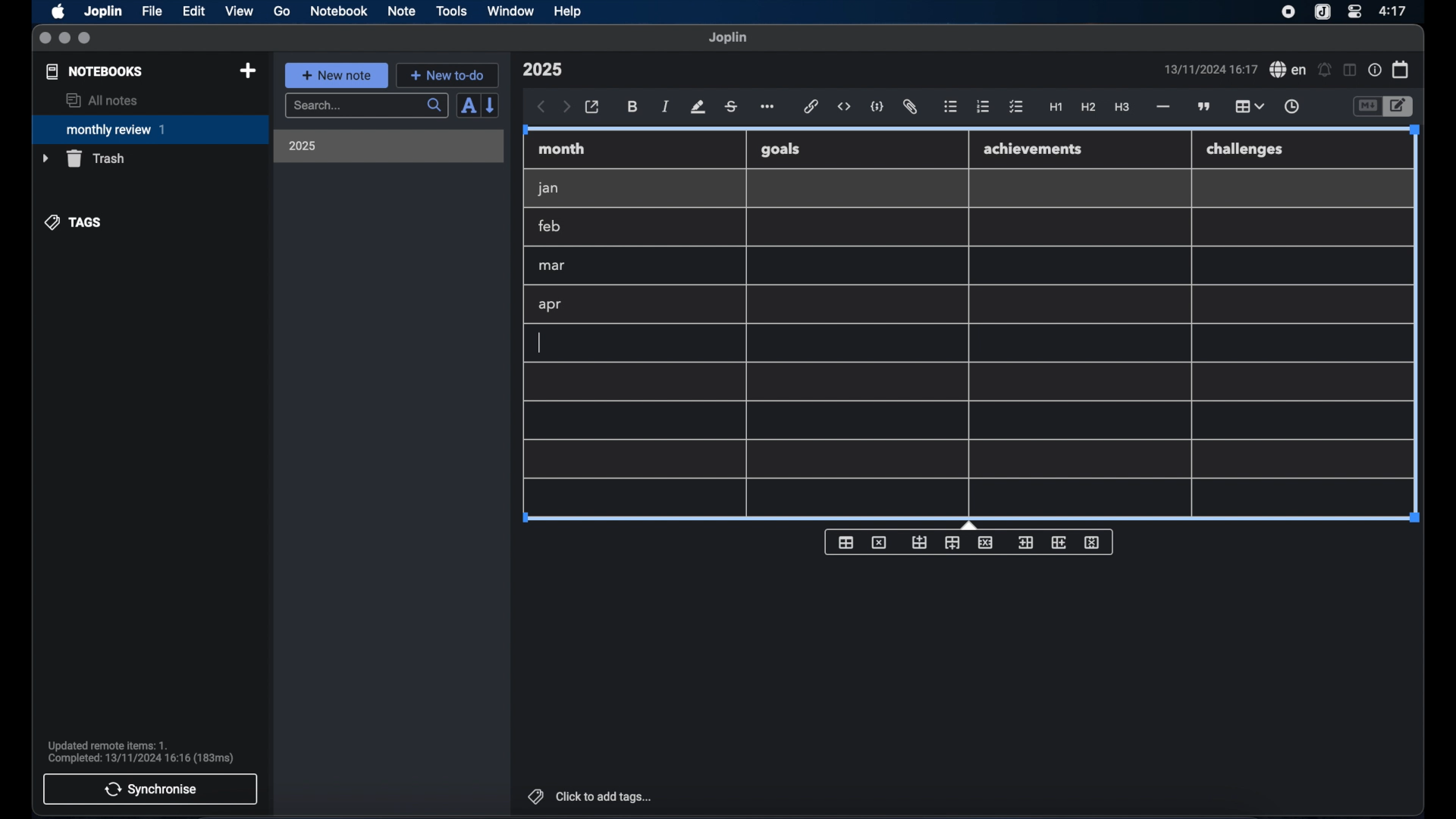 Image resolution: width=1456 pixels, height=819 pixels. What do you see at coordinates (74, 222) in the screenshot?
I see `tags` at bounding box center [74, 222].